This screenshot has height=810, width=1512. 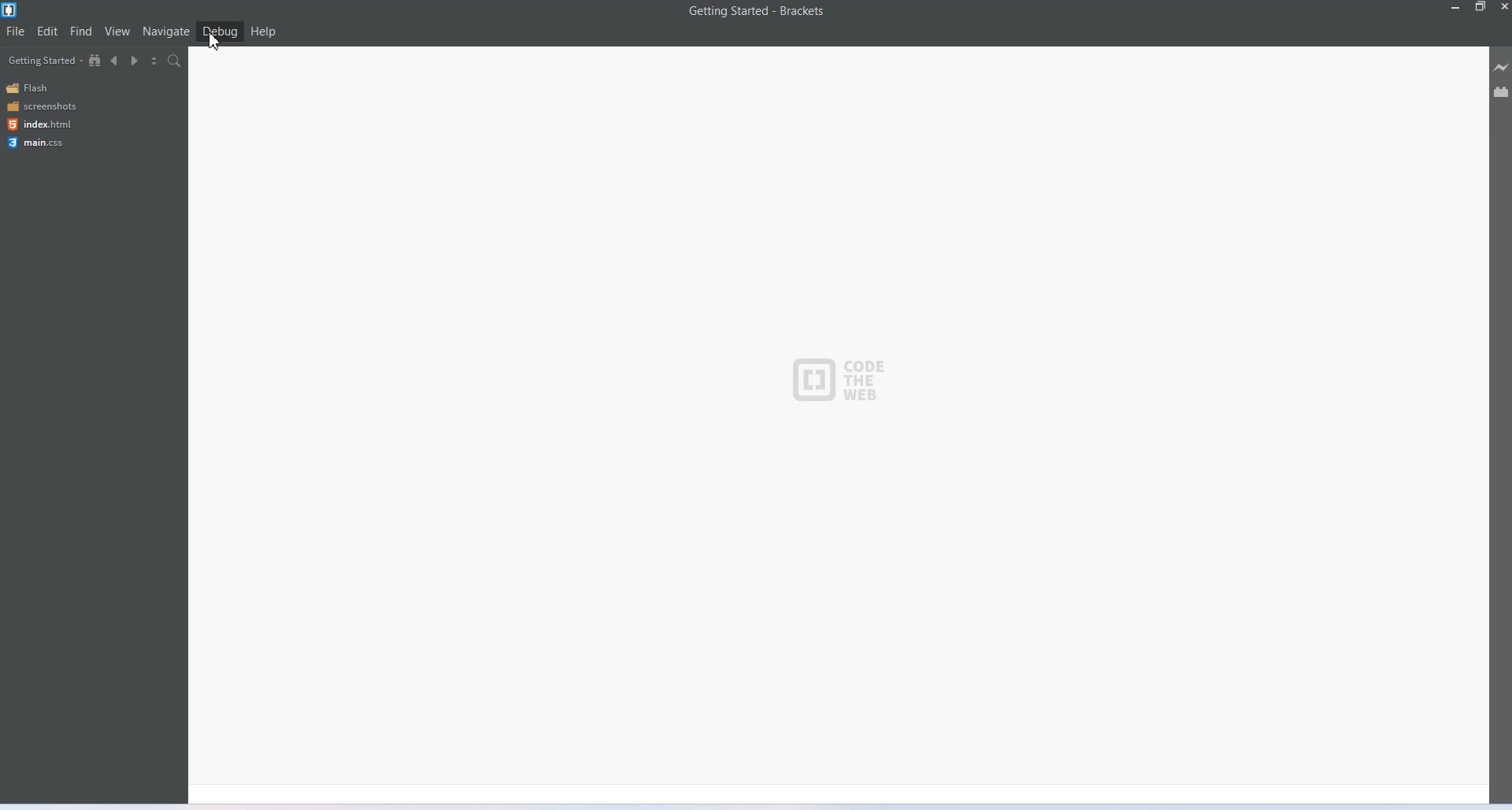 What do you see at coordinates (756, 12) in the screenshot?
I see `Getting Started - Brackets` at bounding box center [756, 12].